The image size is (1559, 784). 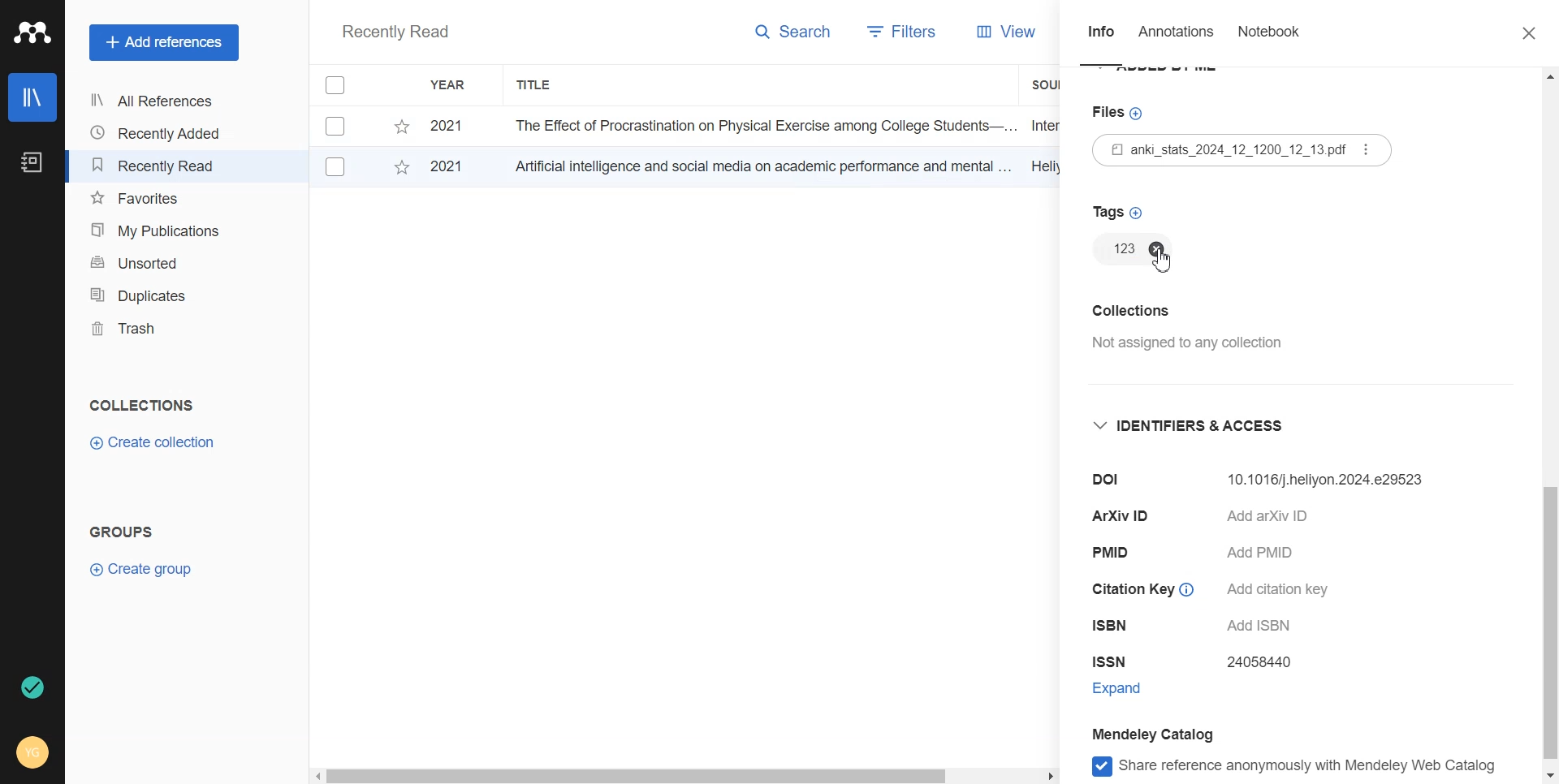 What do you see at coordinates (160, 261) in the screenshot?
I see `Unsorted` at bounding box center [160, 261].